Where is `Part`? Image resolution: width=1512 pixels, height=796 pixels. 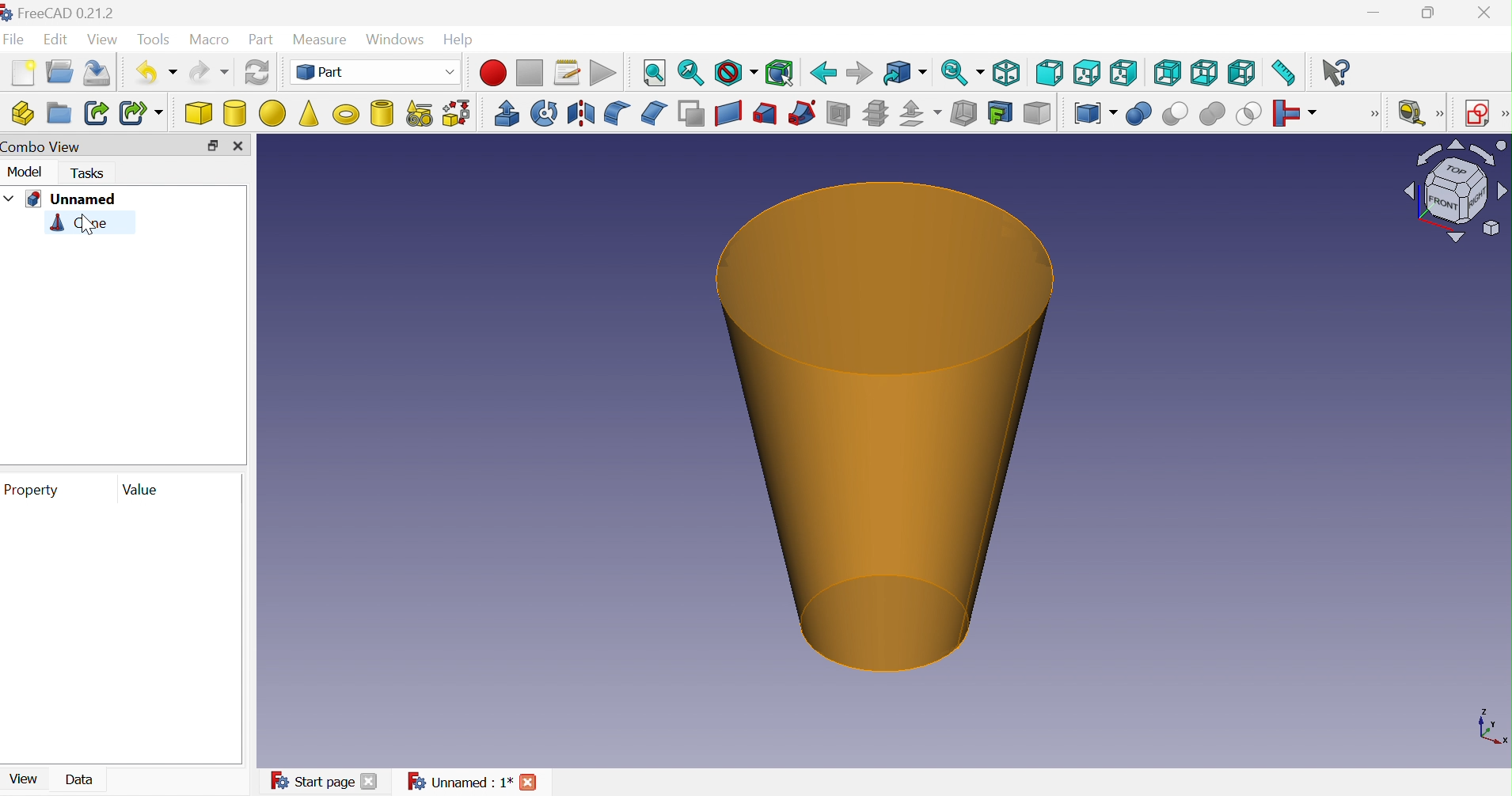
Part is located at coordinates (376, 72).